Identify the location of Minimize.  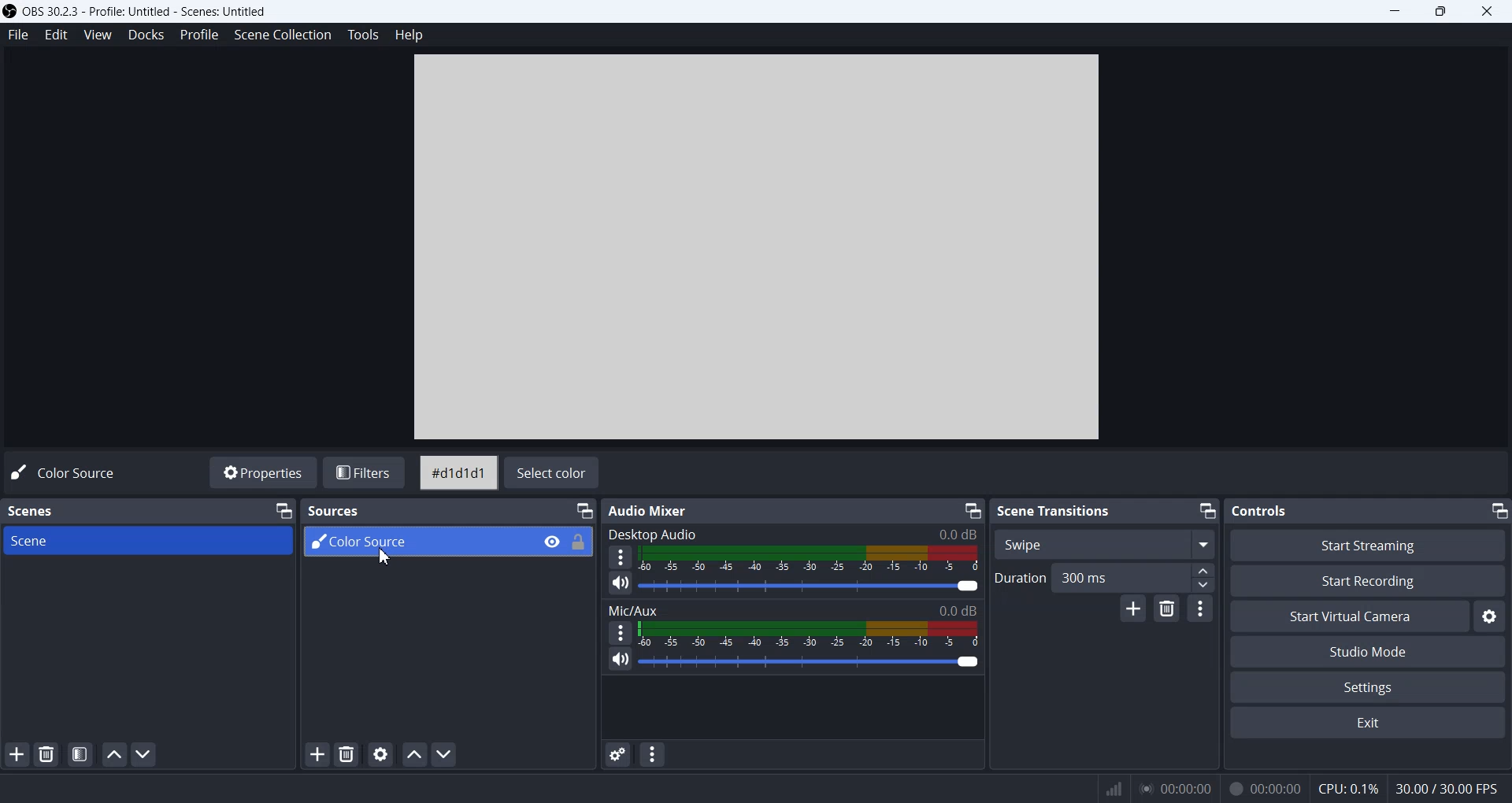
(1396, 12).